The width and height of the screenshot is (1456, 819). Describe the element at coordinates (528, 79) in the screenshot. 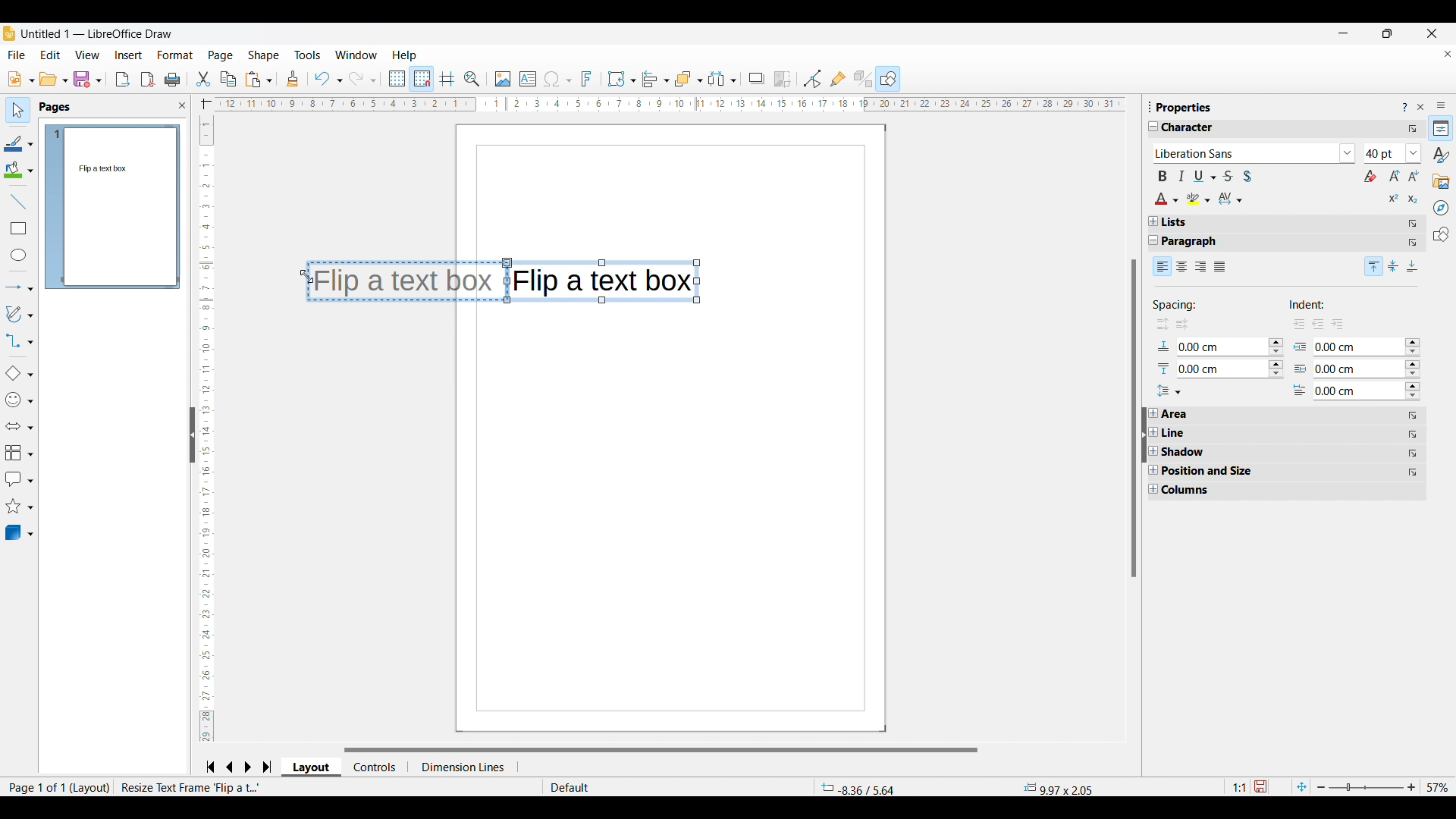

I see `Insert text box` at that location.